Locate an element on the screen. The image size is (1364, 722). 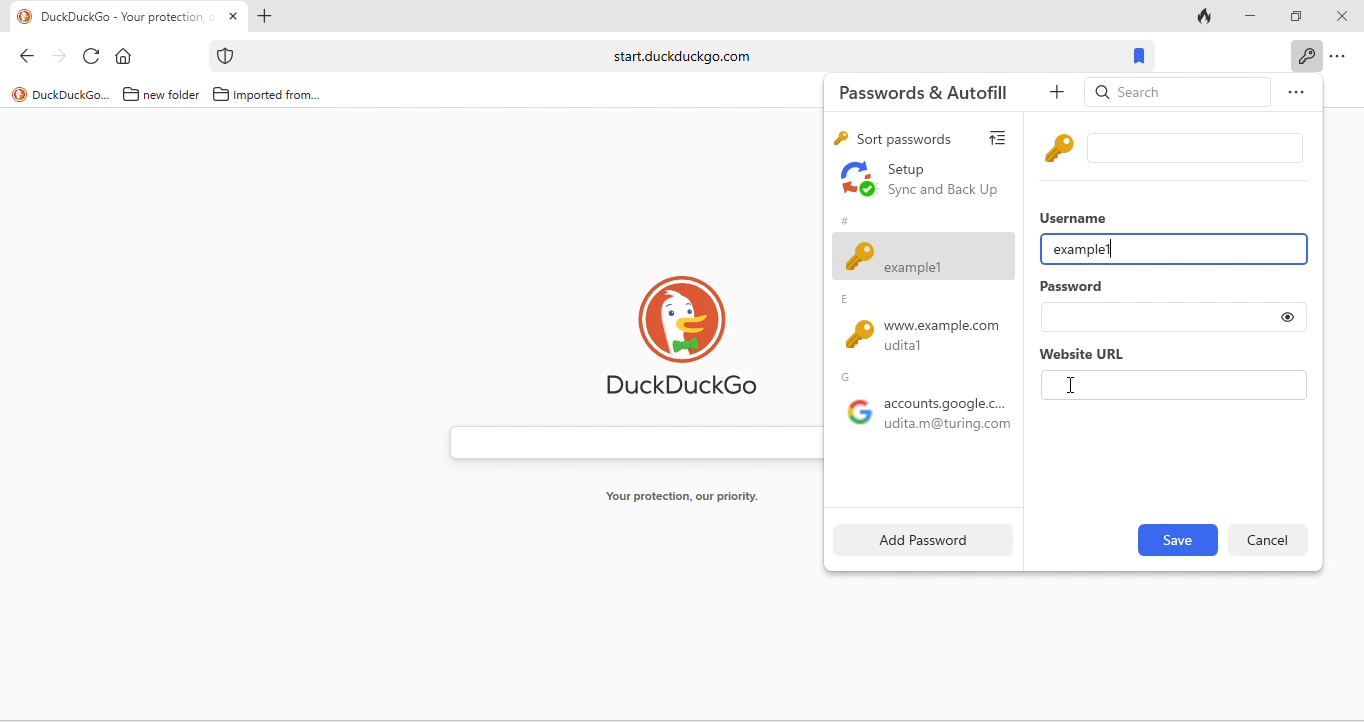
folder icon is located at coordinates (131, 94).